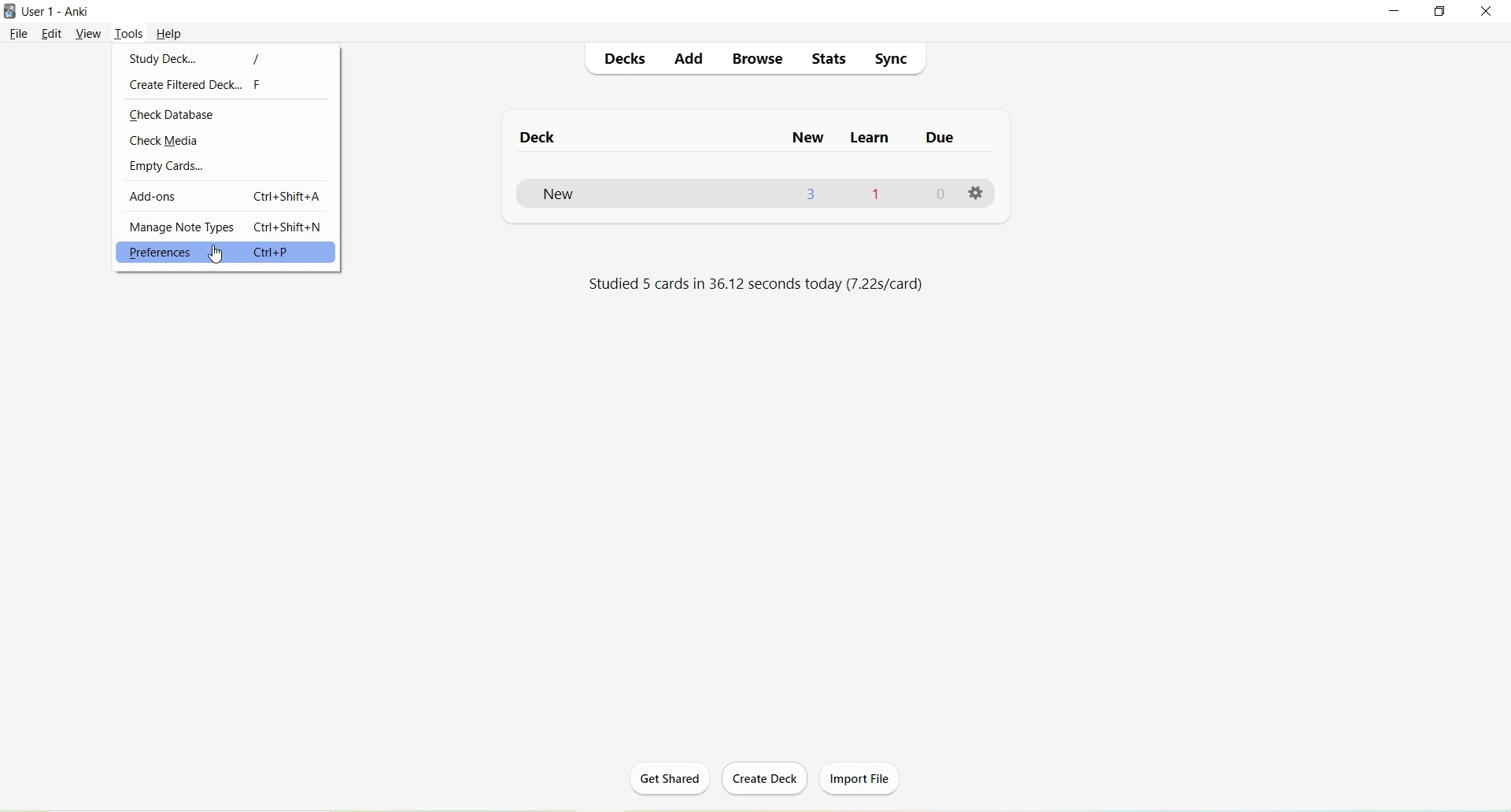  I want to click on Add, so click(688, 61).